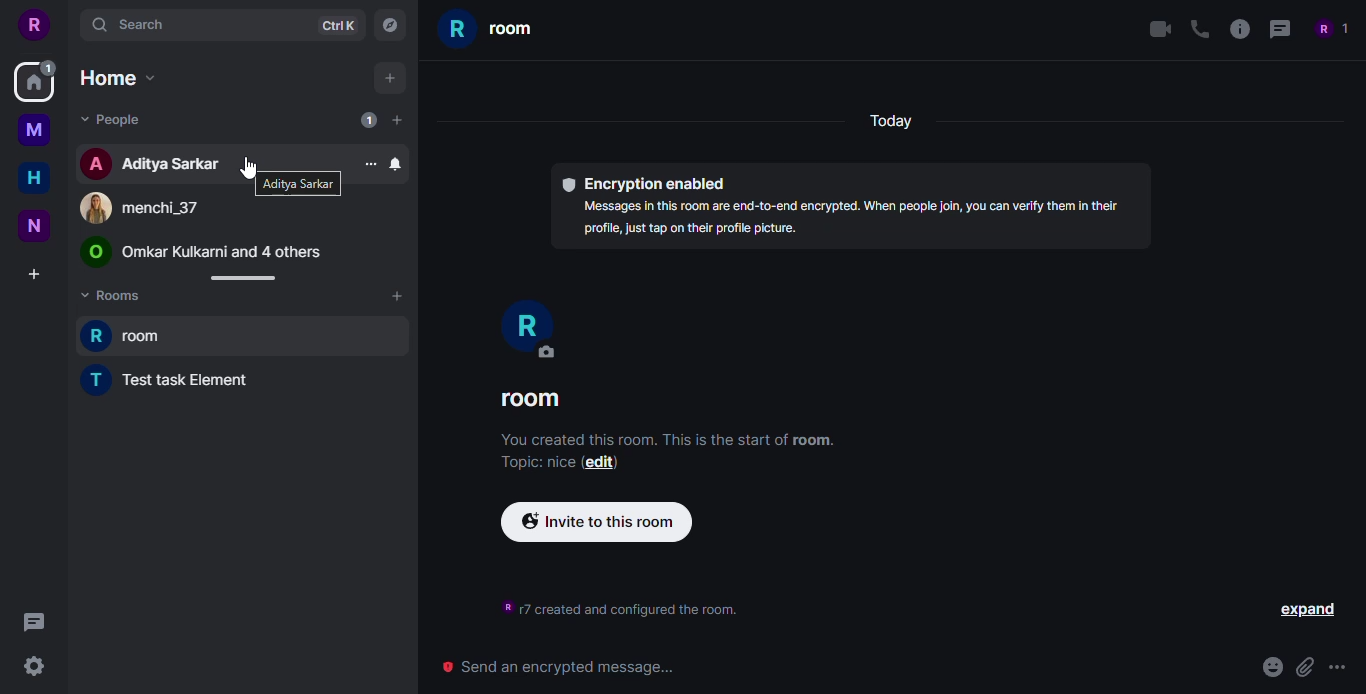 This screenshot has width=1366, height=694. I want to click on r7 created and configured the room., so click(625, 608).